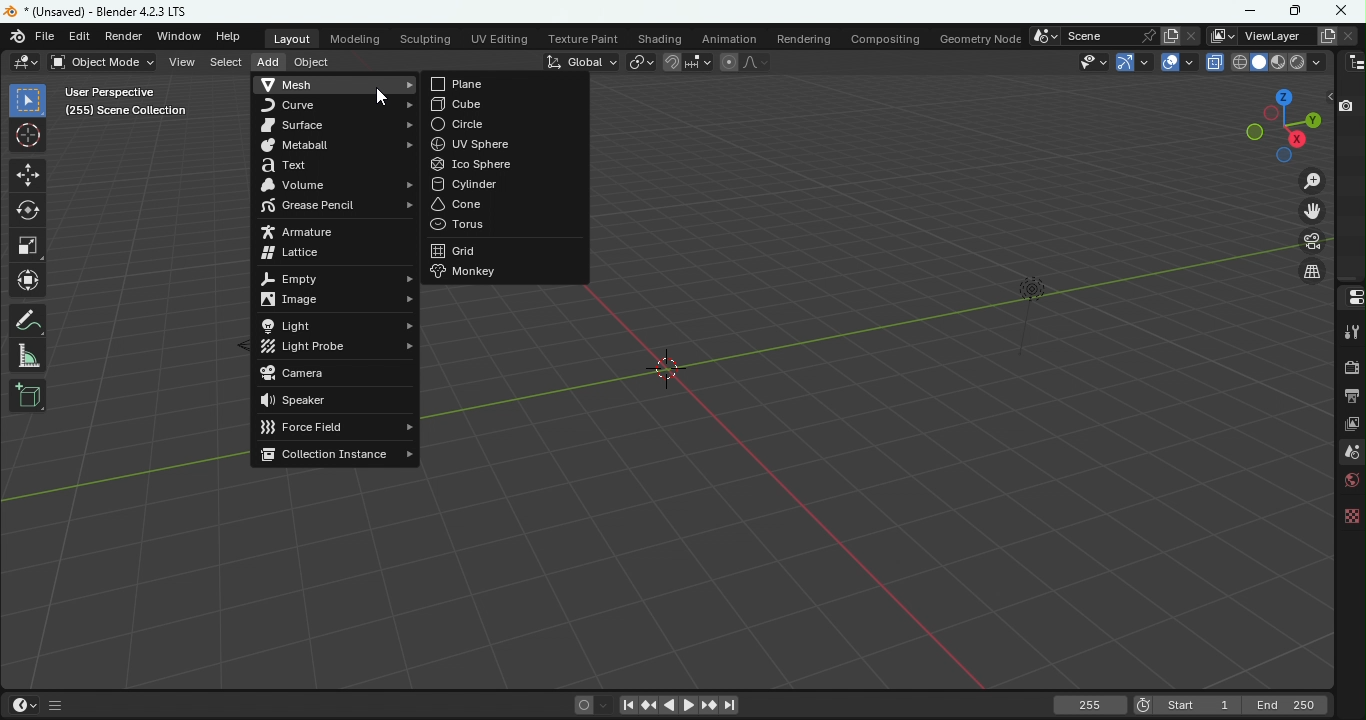 The width and height of the screenshot is (1366, 720). I want to click on Rotate the scene, so click(1273, 114).